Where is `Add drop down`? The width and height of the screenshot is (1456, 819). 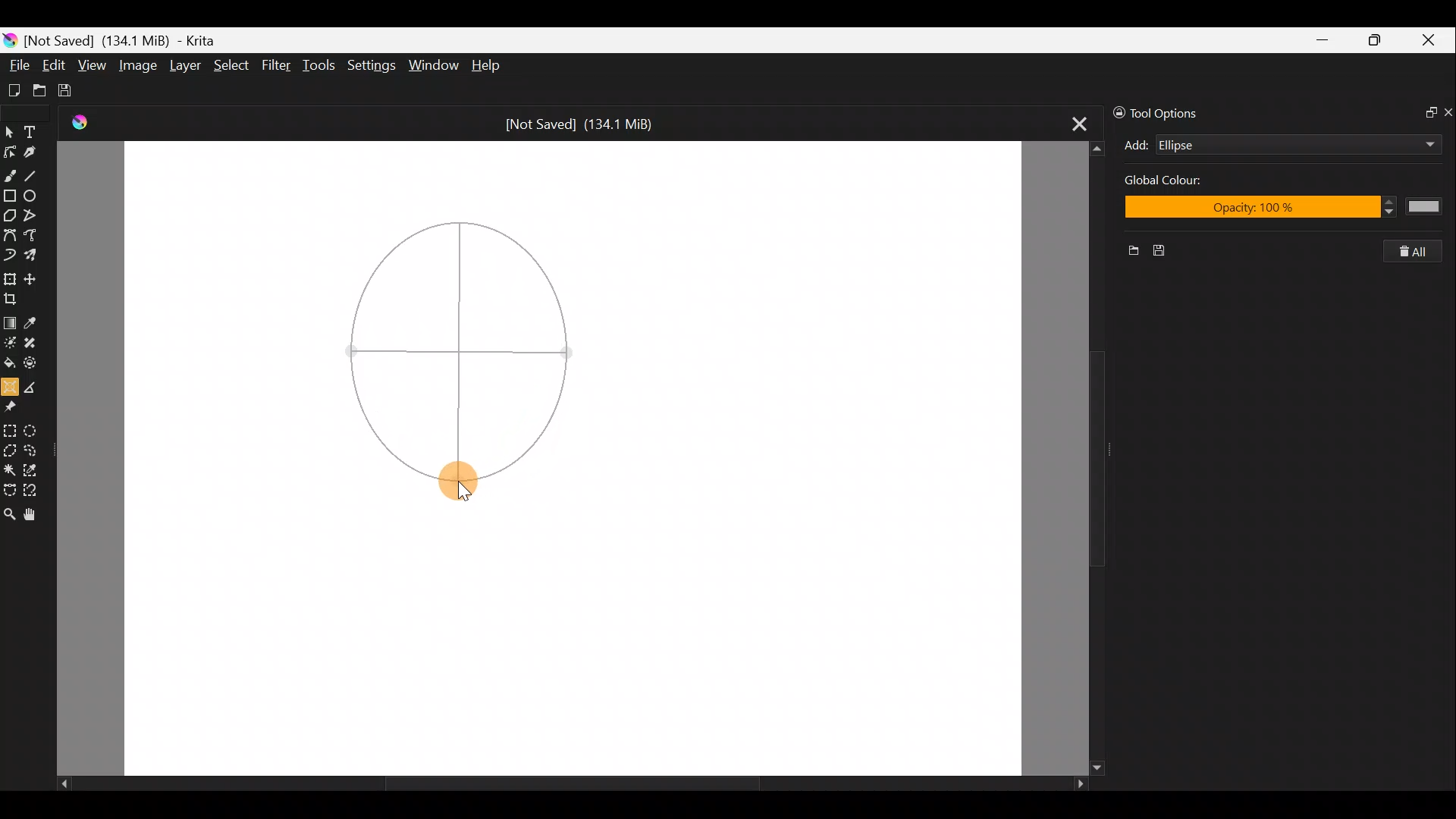
Add drop down is located at coordinates (1416, 142).